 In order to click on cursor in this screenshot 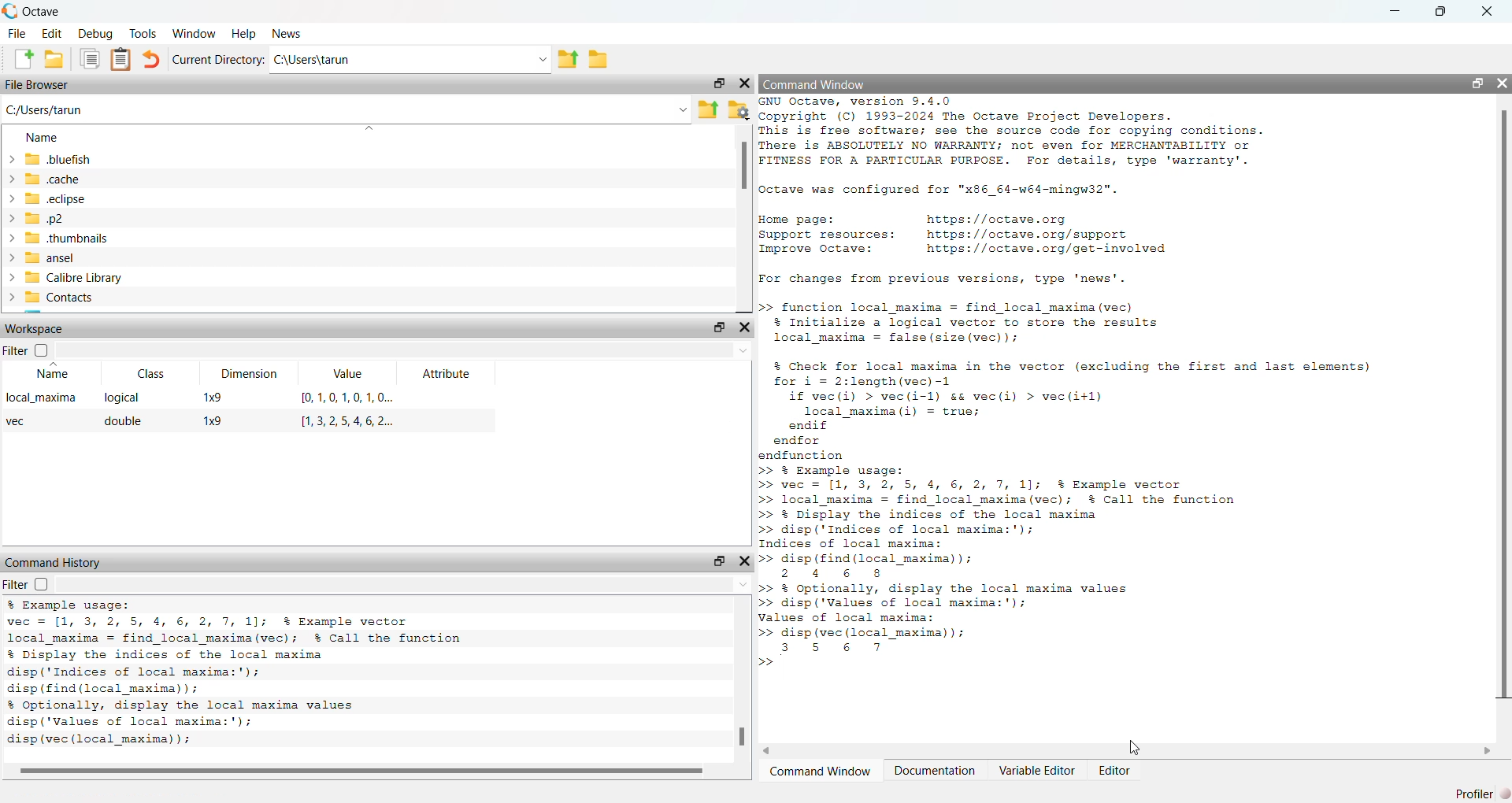, I will do `click(1132, 747)`.